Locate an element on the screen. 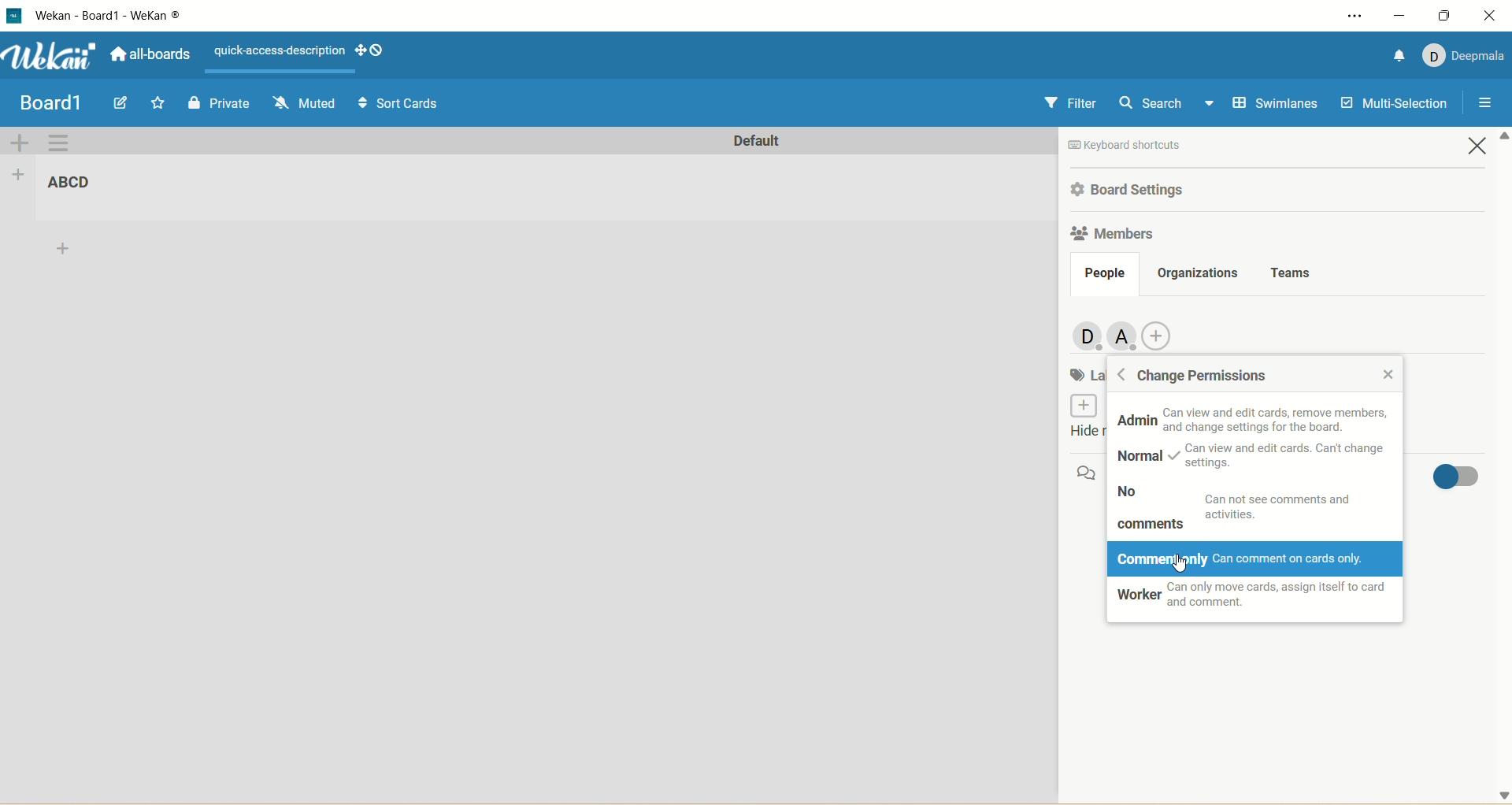 The height and width of the screenshot is (805, 1512). logo is located at coordinates (17, 16).